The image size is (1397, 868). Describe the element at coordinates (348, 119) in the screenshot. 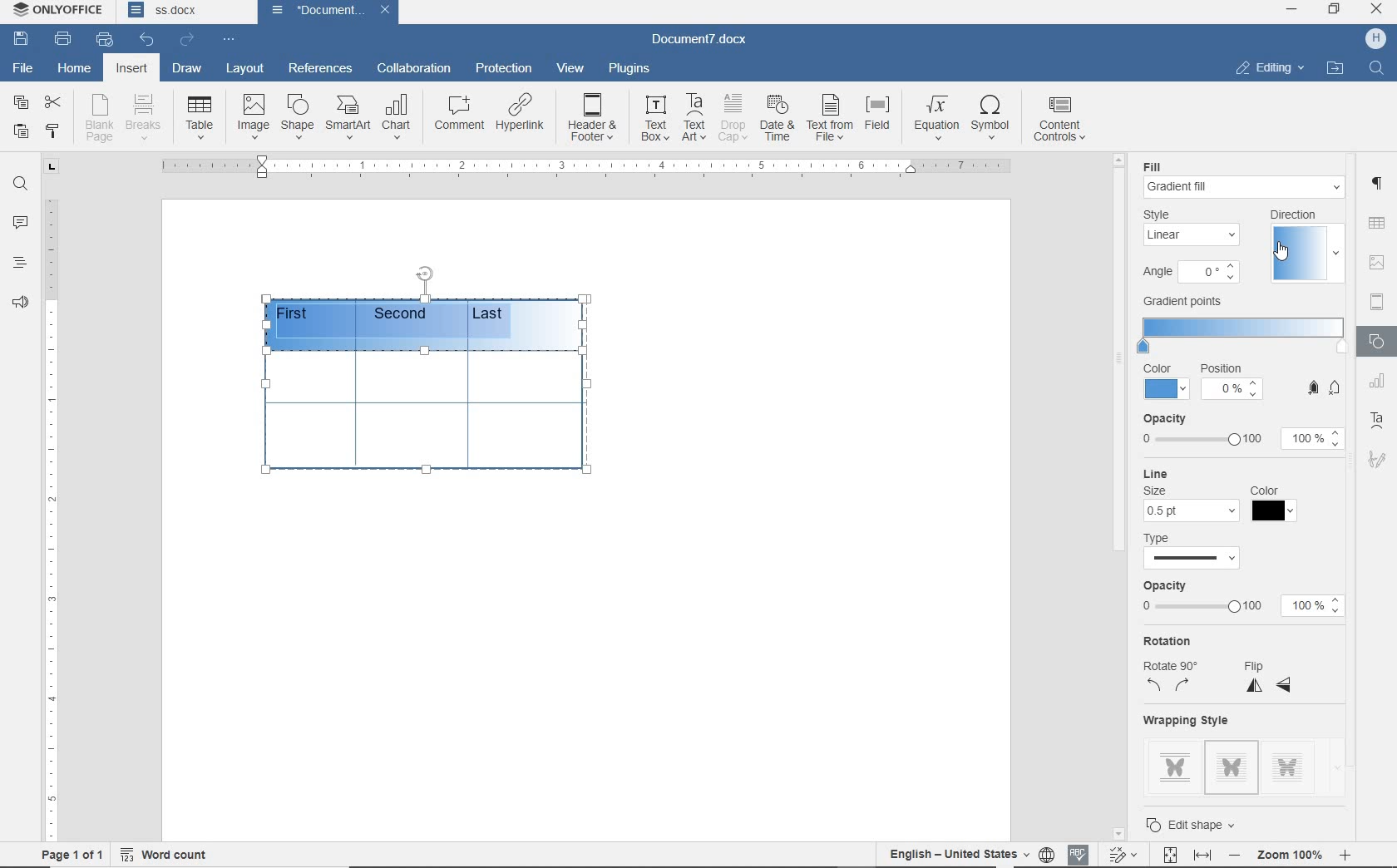

I see `smart art` at that location.